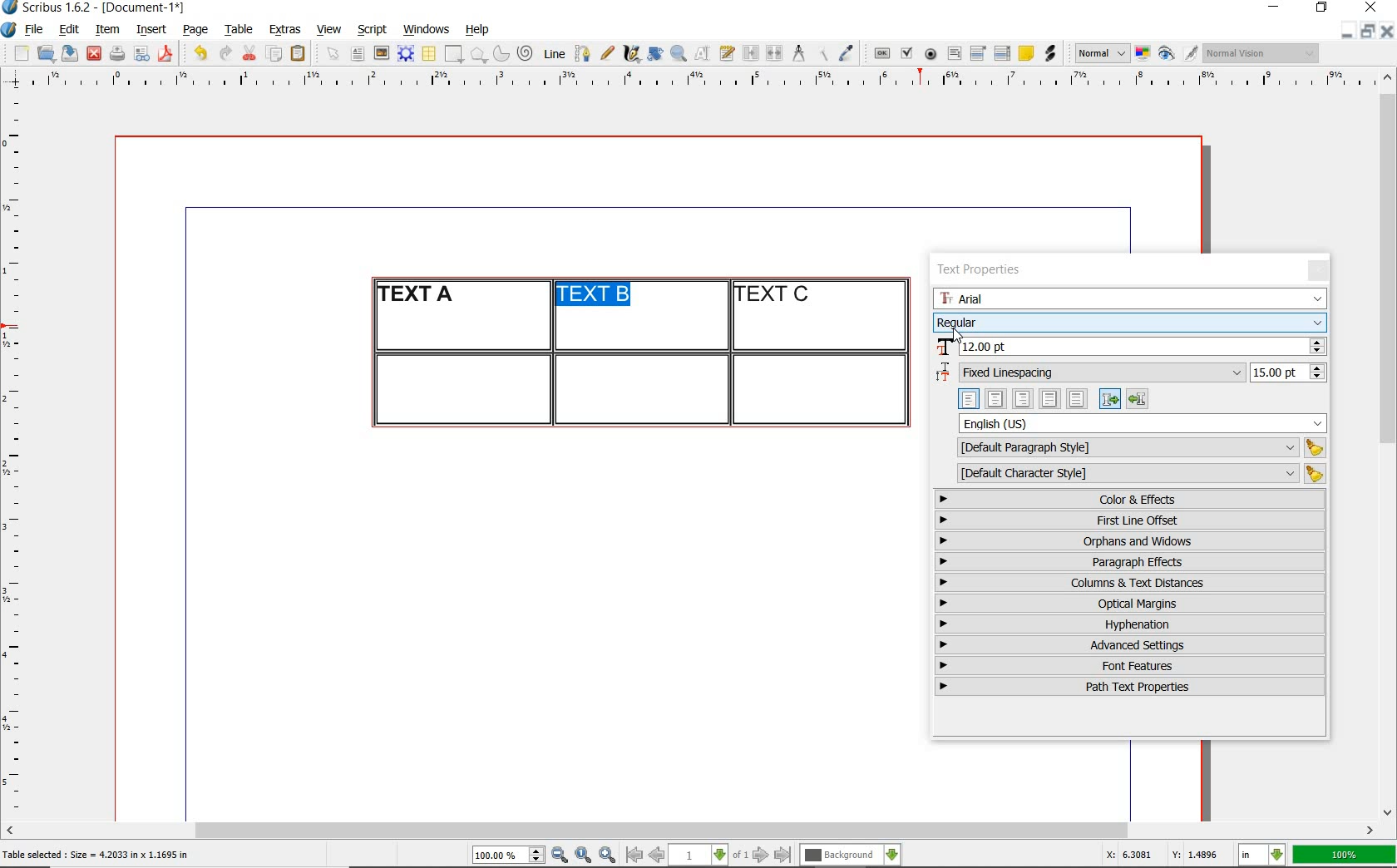  Describe the element at coordinates (142, 55) in the screenshot. I see `preflight verifier` at that location.